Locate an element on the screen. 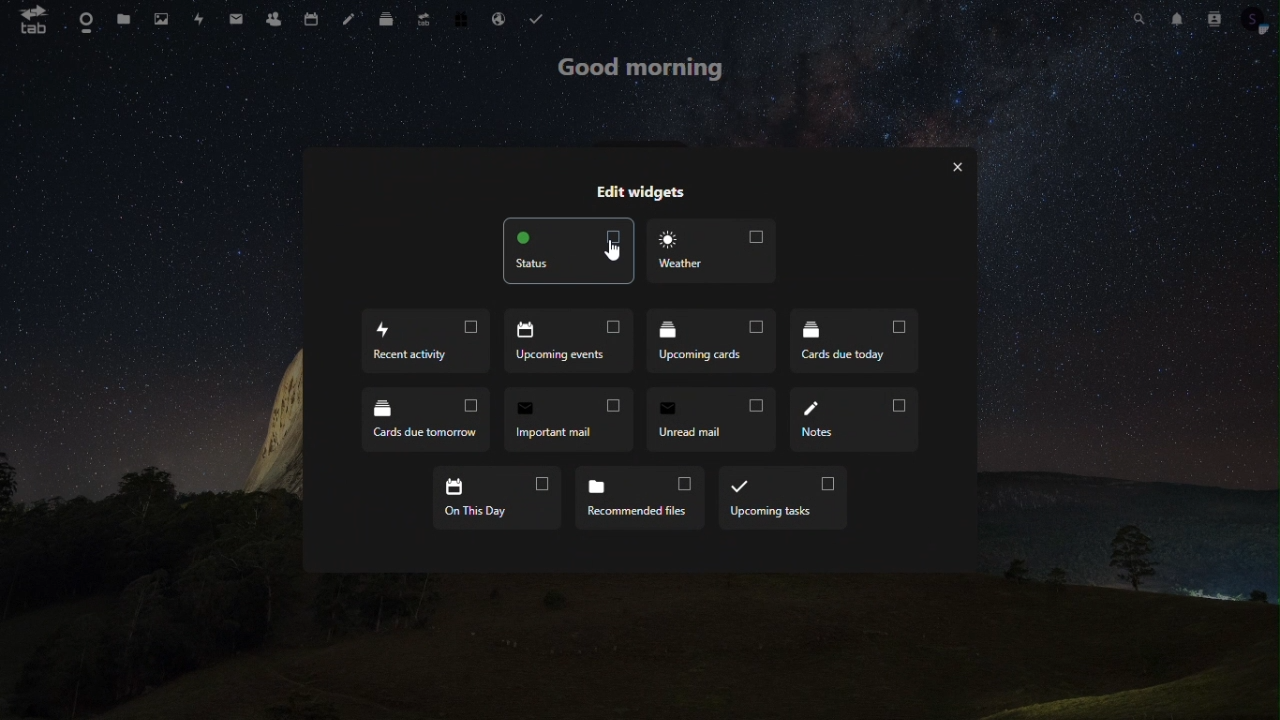 Image resolution: width=1280 pixels, height=720 pixels. files is located at coordinates (127, 21).